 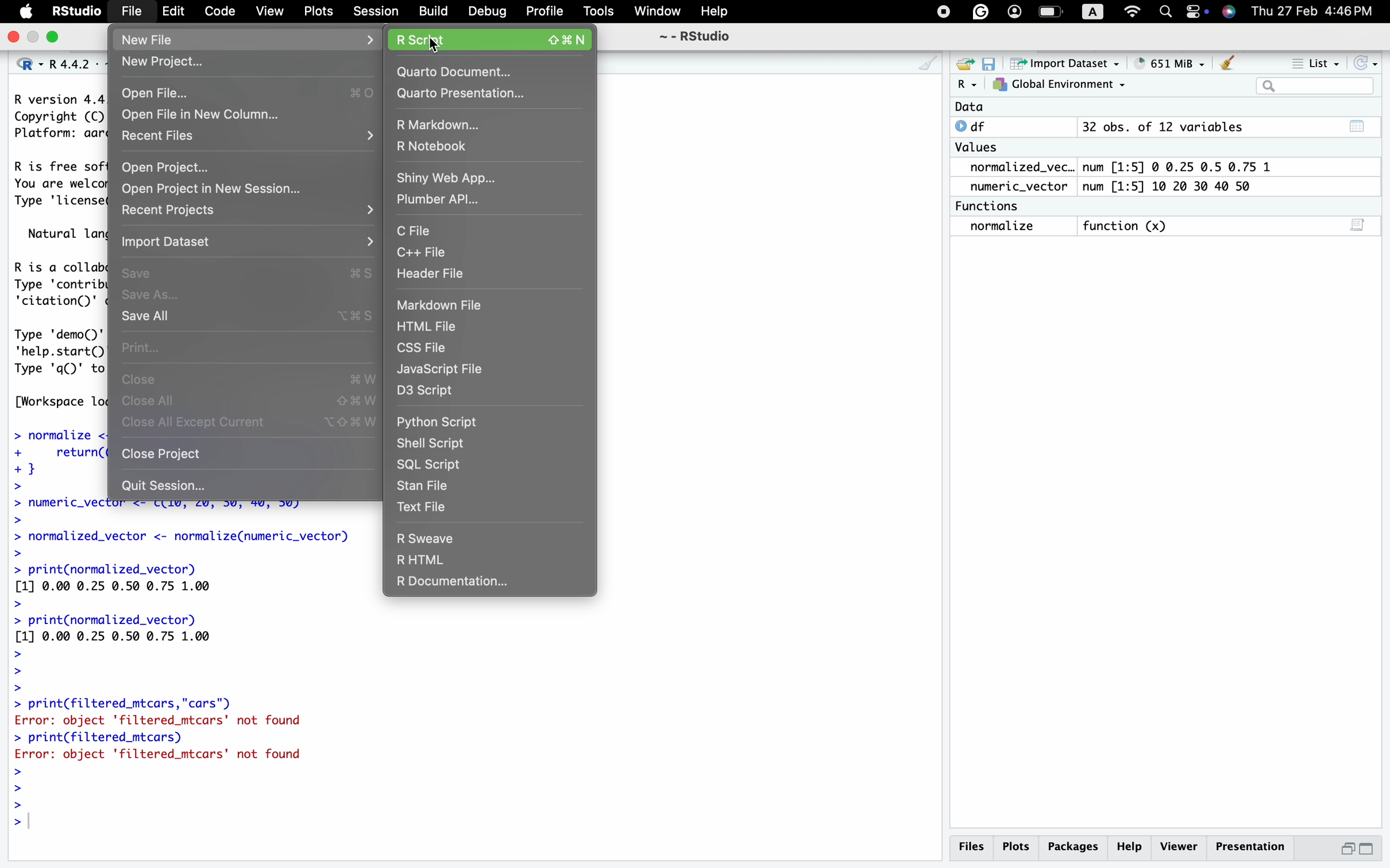 I want to click on battery, so click(x=1052, y=13).